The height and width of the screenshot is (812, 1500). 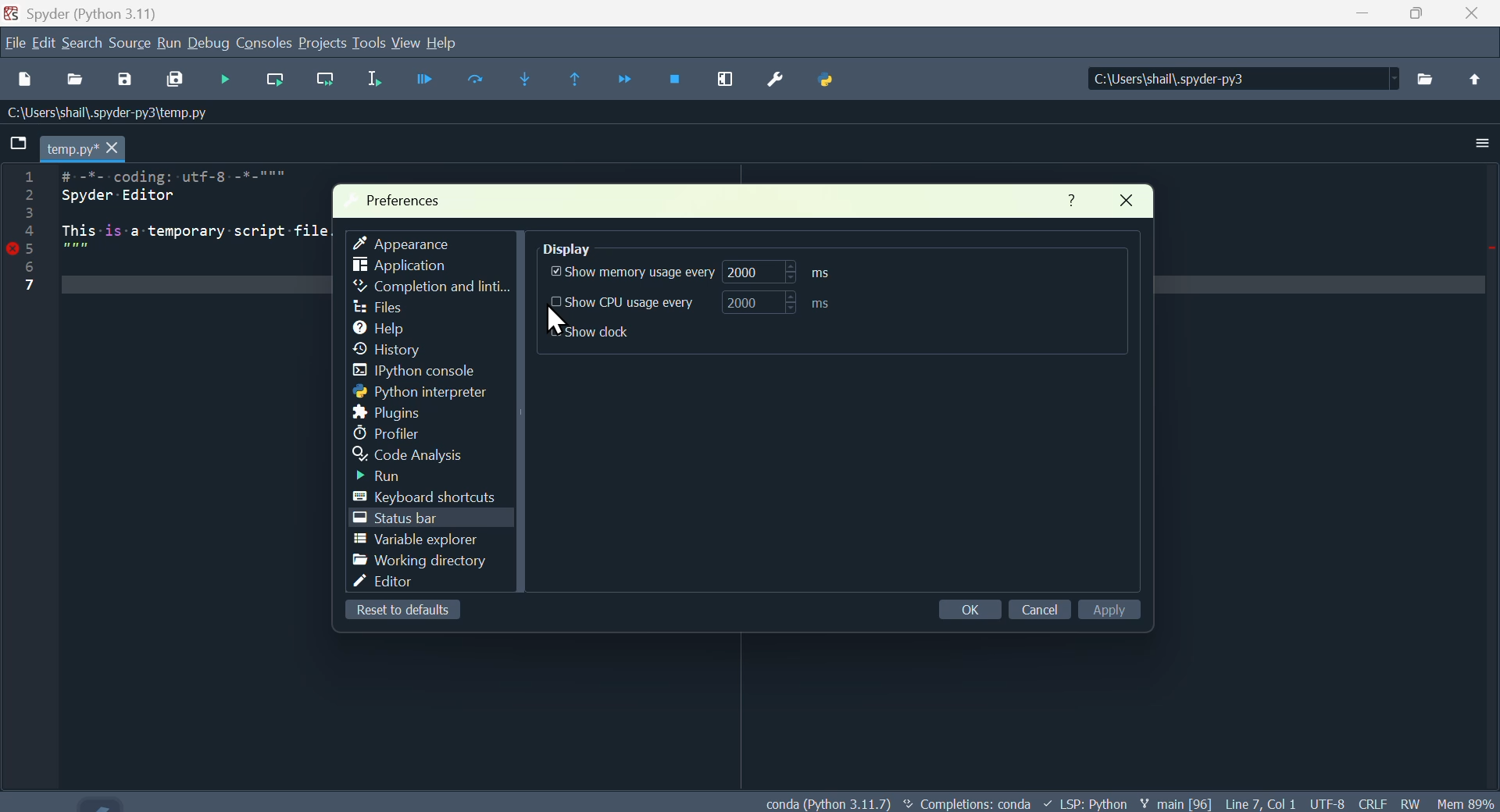 I want to click on file, so click(x=378, y=305).